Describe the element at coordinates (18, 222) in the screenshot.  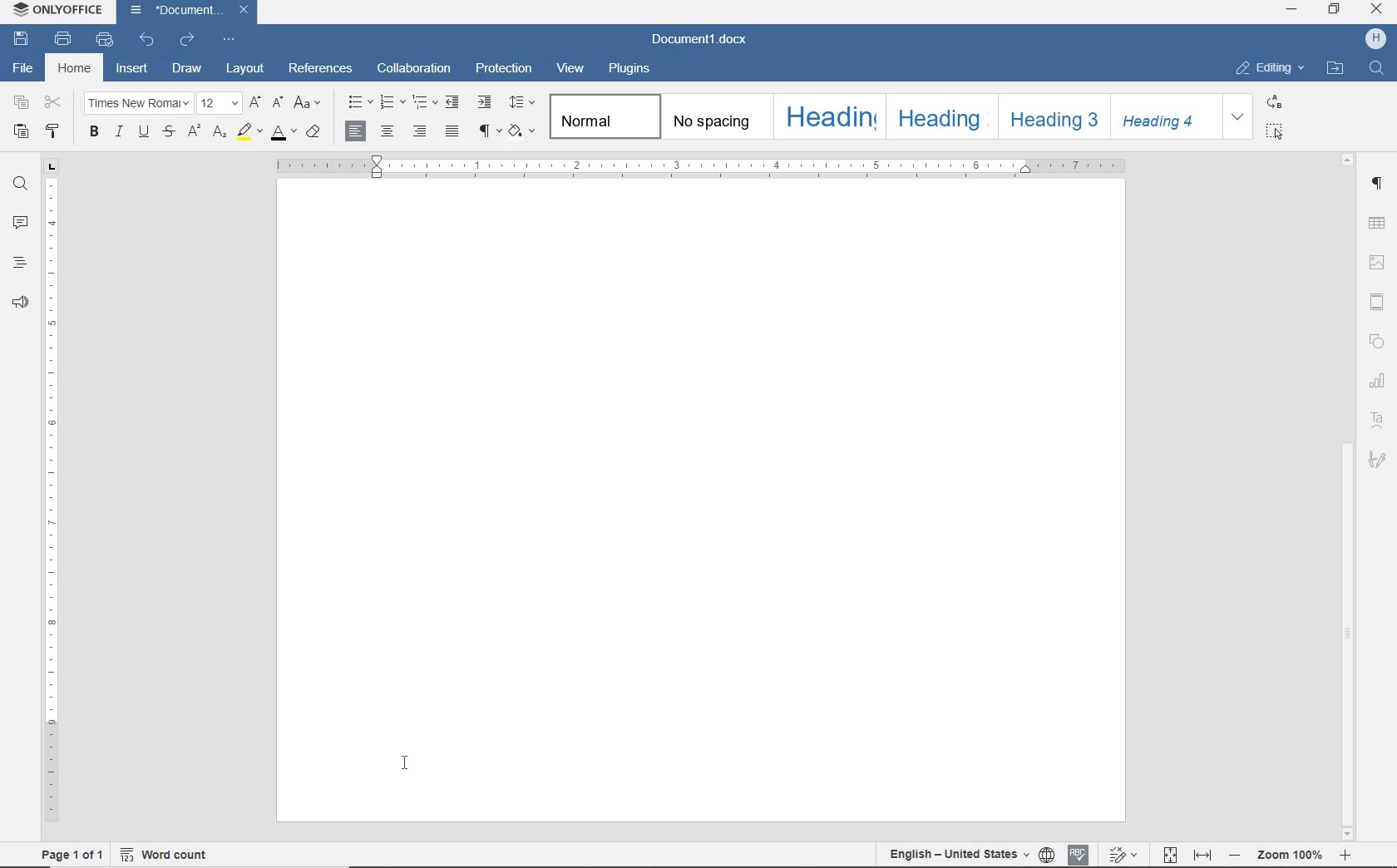
I see `comments` at that location.